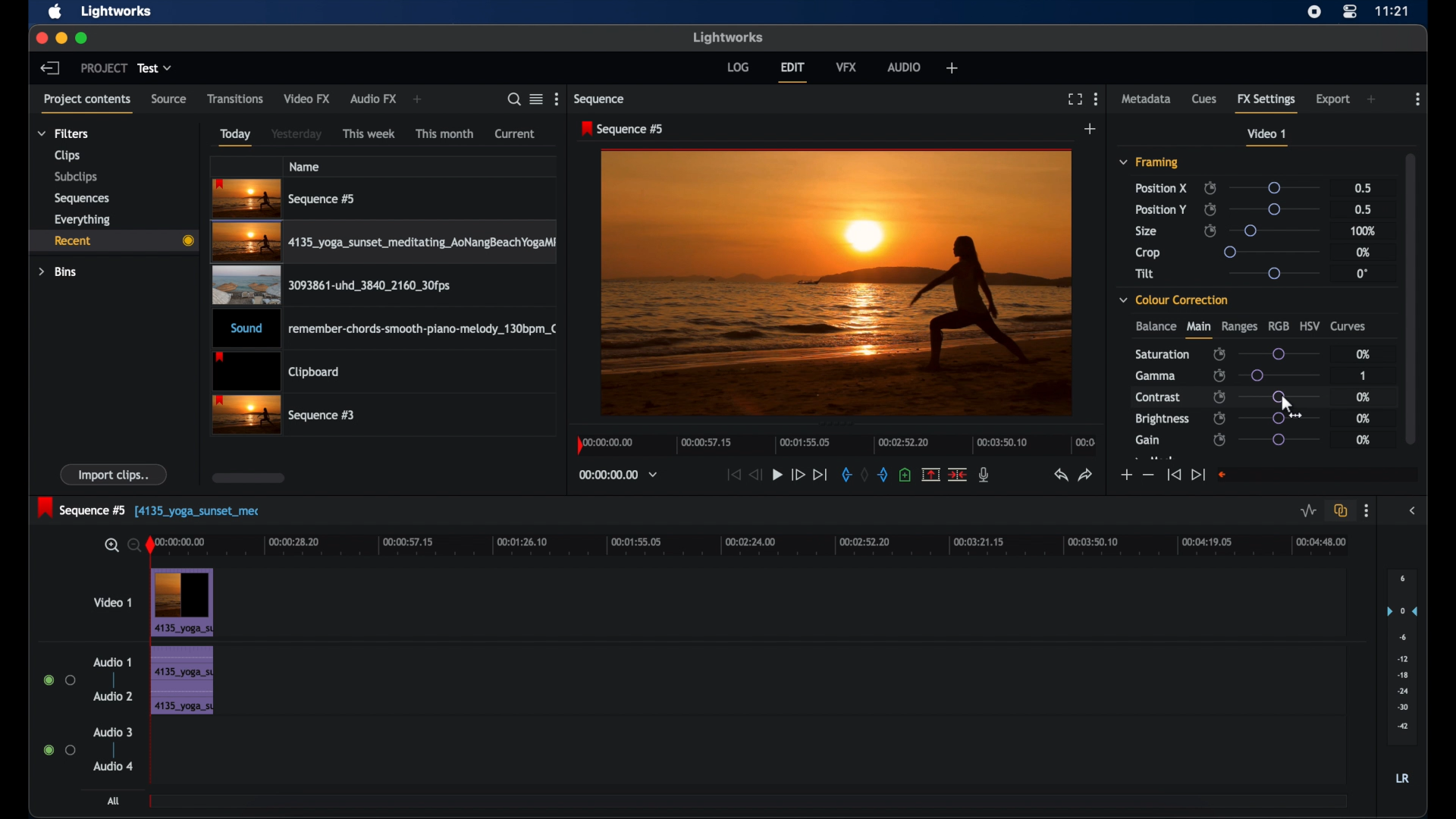  I want to click on lightworks, so click(730, 37).